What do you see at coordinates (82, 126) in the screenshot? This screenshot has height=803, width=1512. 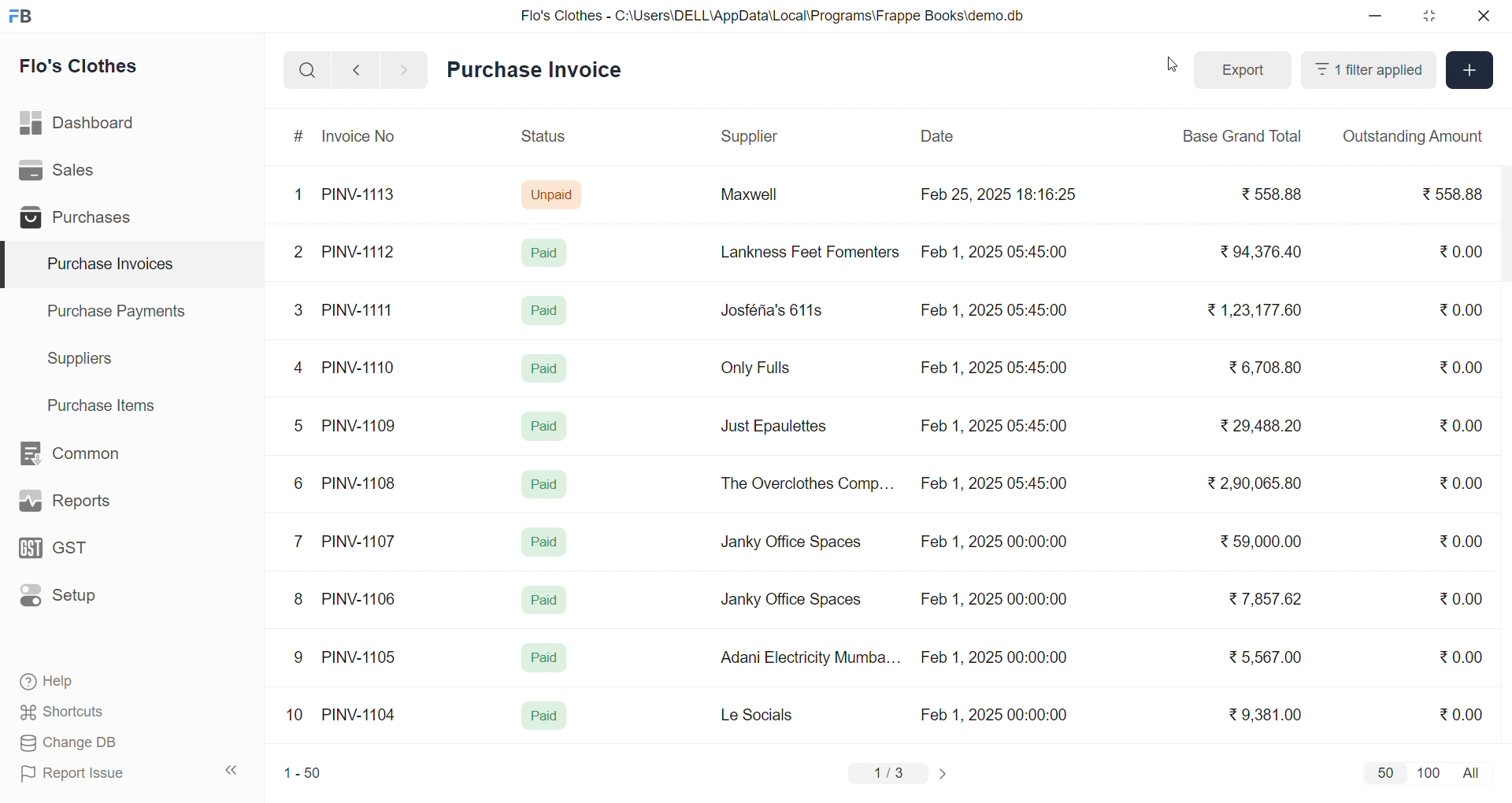 I see `Dashboard` at bounding box center [82, 126].